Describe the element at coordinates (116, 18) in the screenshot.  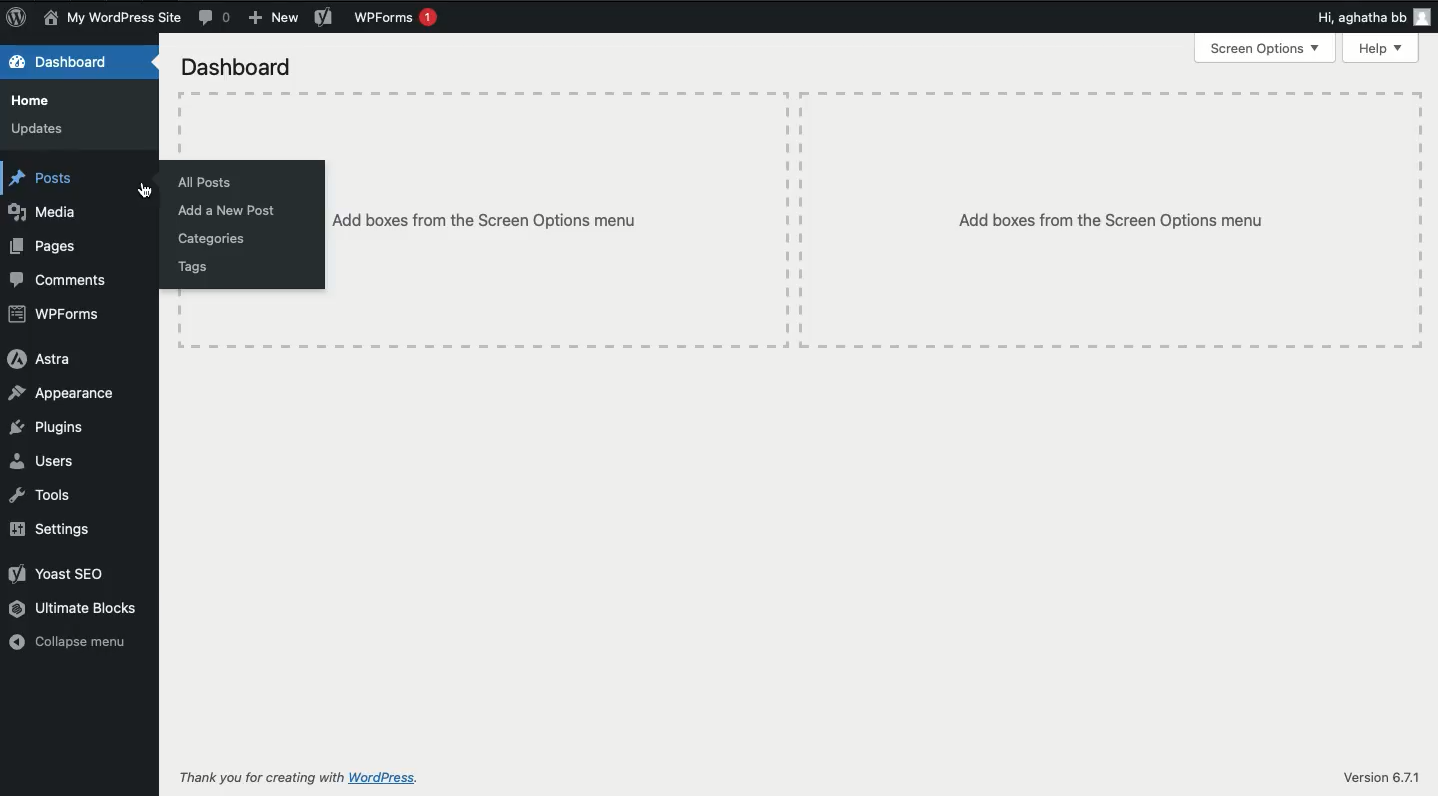
I see `Name` at that location.